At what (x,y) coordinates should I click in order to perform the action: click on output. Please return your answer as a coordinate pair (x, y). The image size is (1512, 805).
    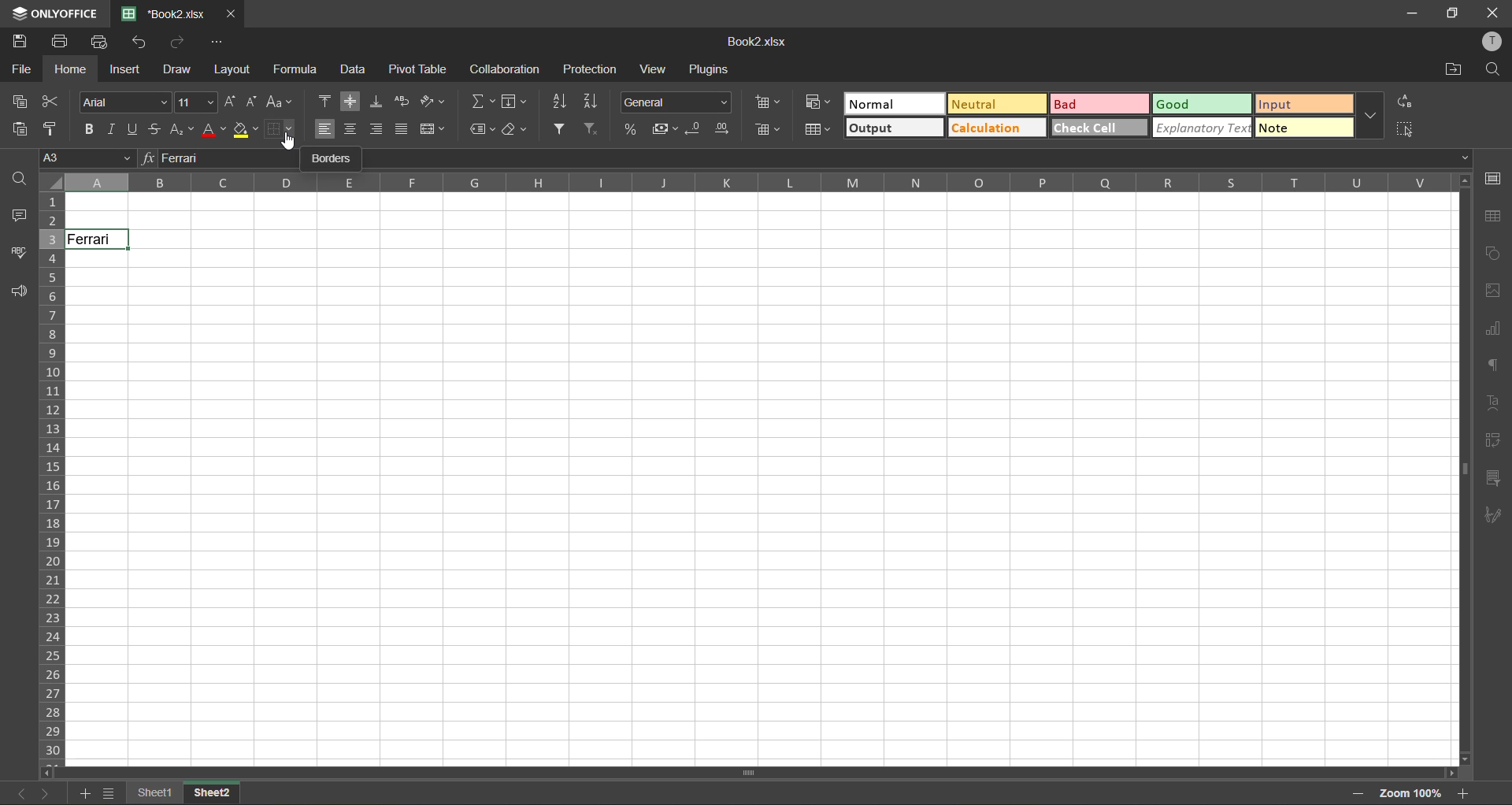
    Looking at the image, I should click on (897, 129).